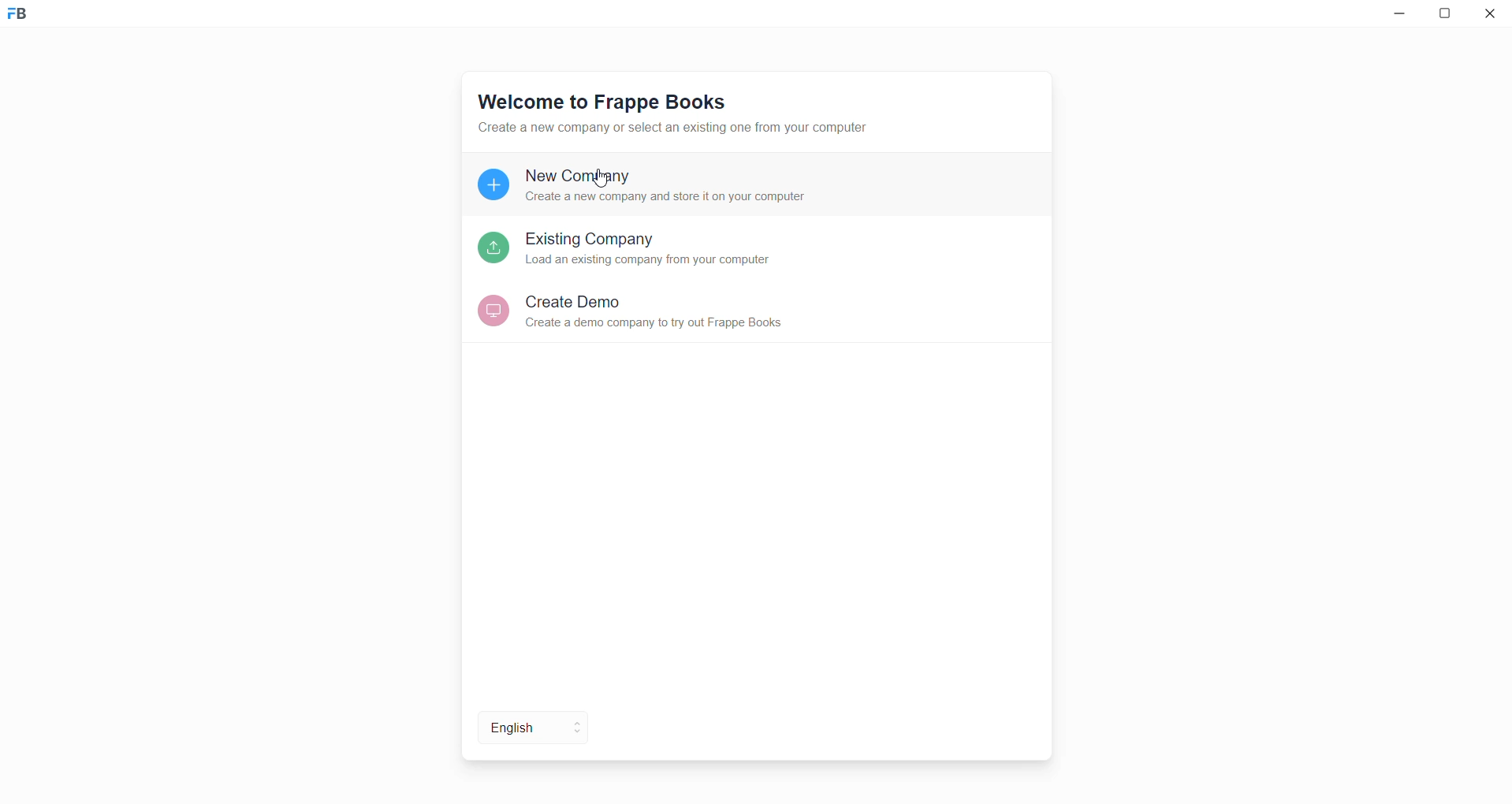 Image resolution: width=1512 pixels, height=804 pixels. Describe the element at coordinates (672, 189) in the screenshot. I see `Create New Company` at that location.